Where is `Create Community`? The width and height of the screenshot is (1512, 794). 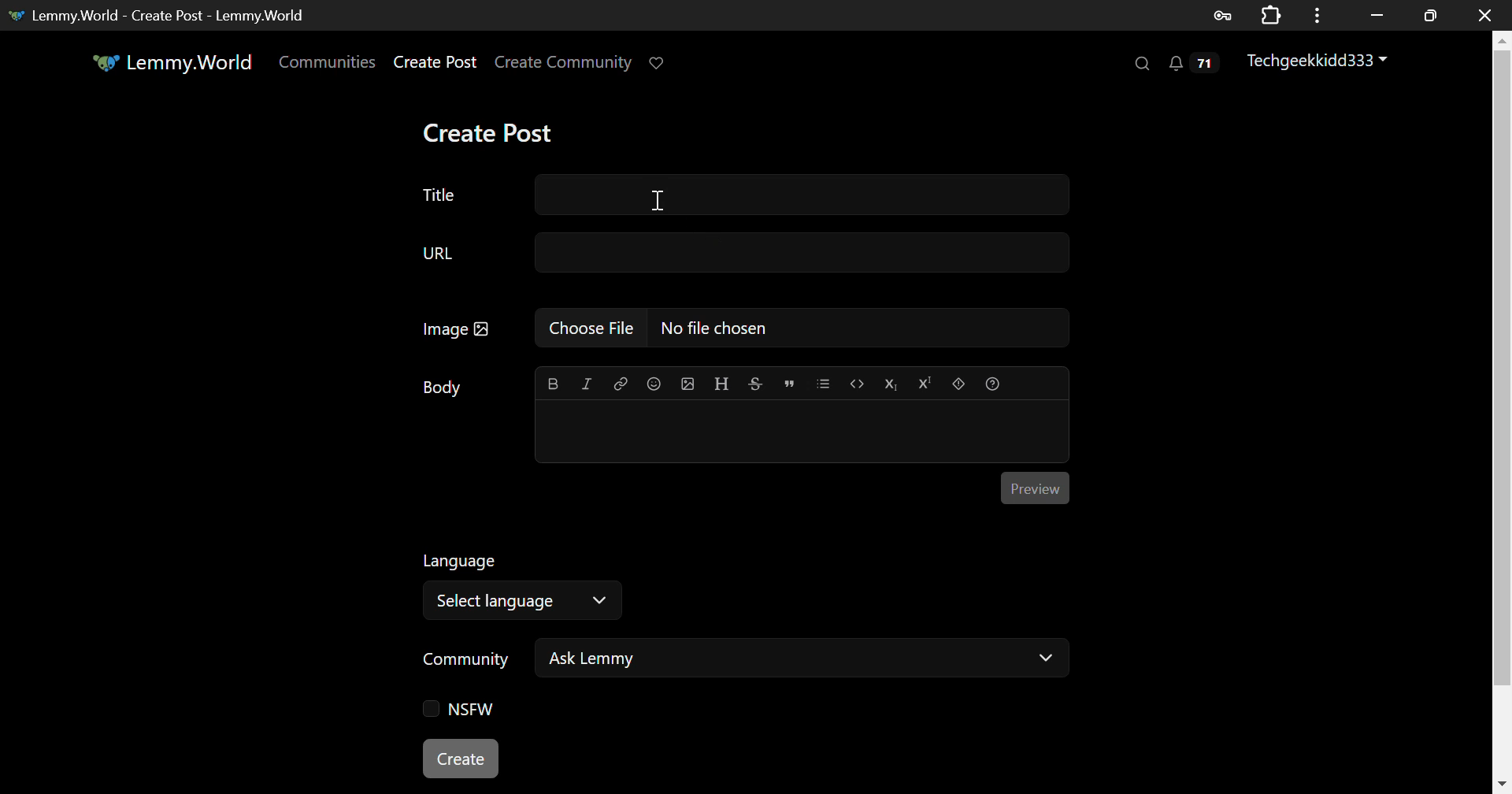 Create Community is located at coordinates (564, 64).